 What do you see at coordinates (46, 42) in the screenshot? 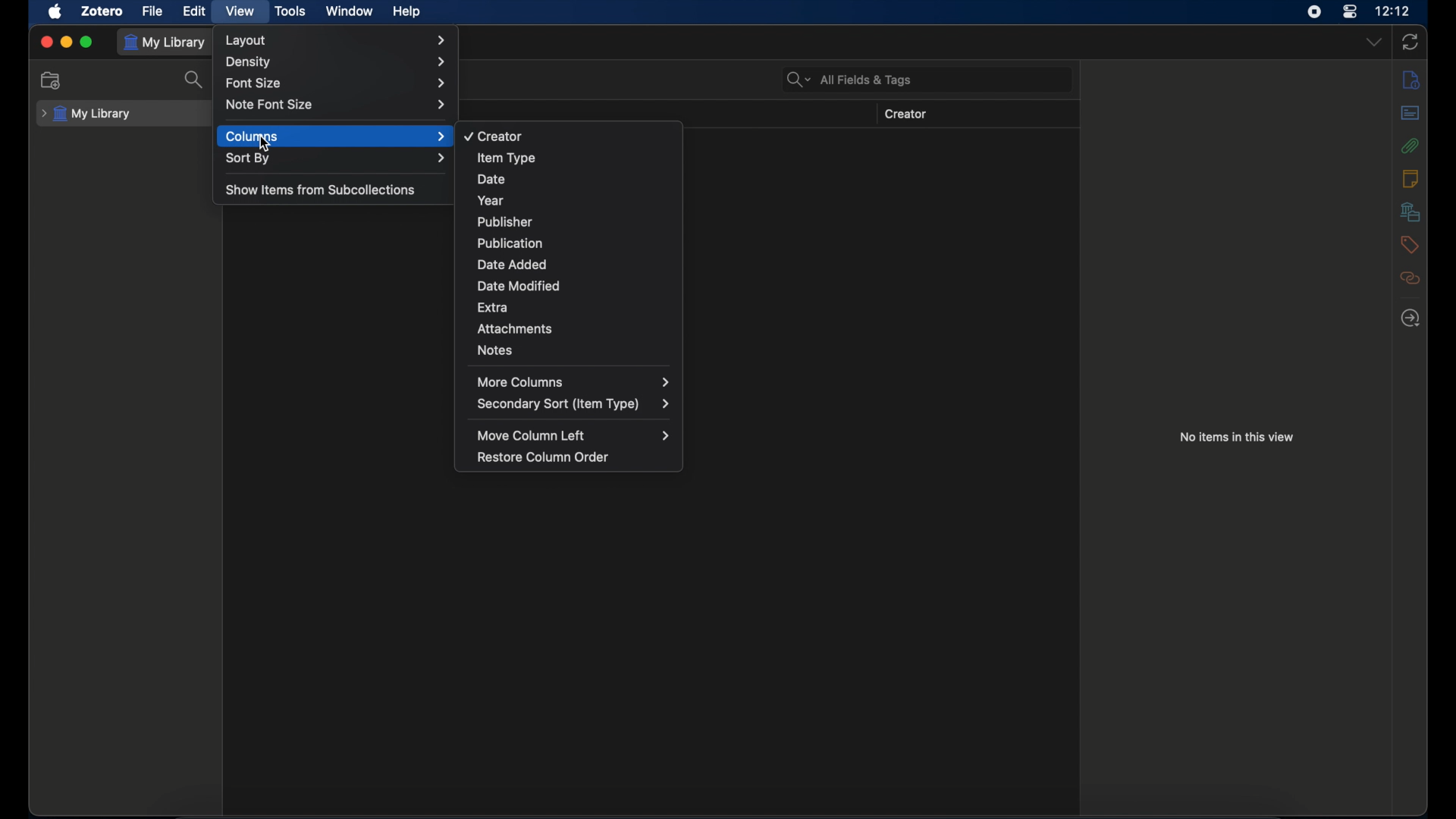
I see `close` at bounding box center [46, 42].